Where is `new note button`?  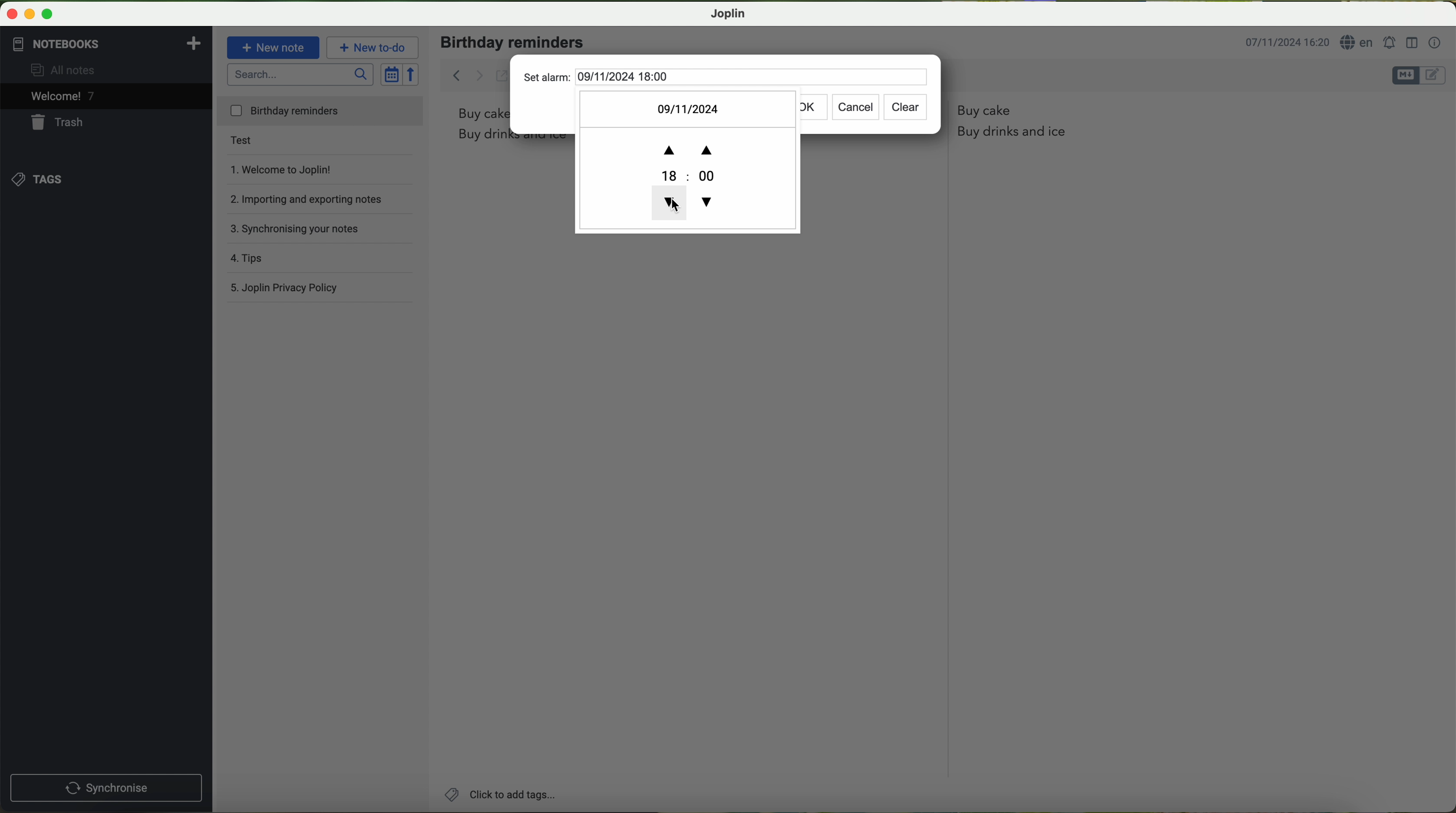
new note button is located at coordinates (272, 47).